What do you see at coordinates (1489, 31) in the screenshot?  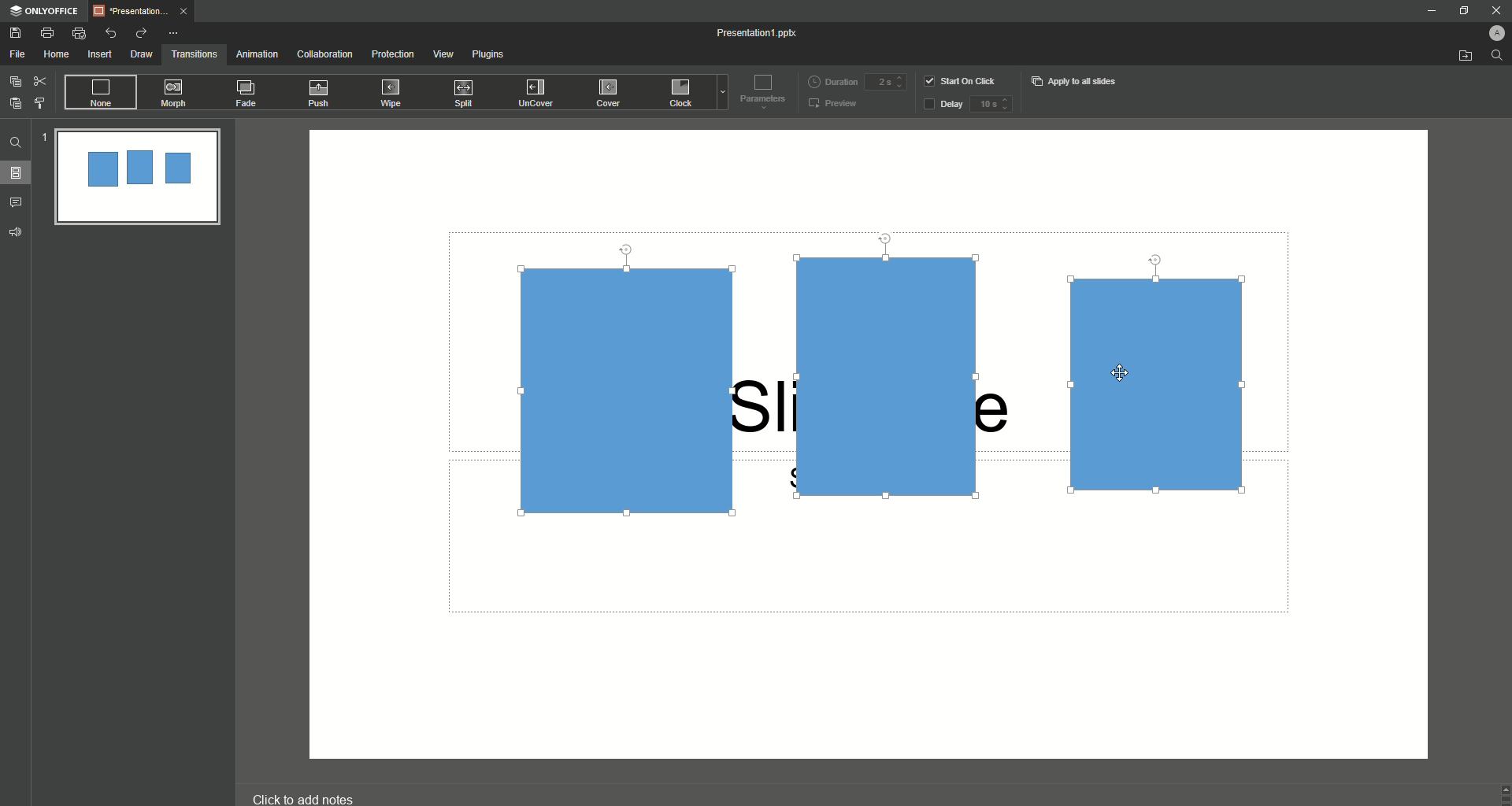 I see `Profile` at bounding box center [1489, 31].